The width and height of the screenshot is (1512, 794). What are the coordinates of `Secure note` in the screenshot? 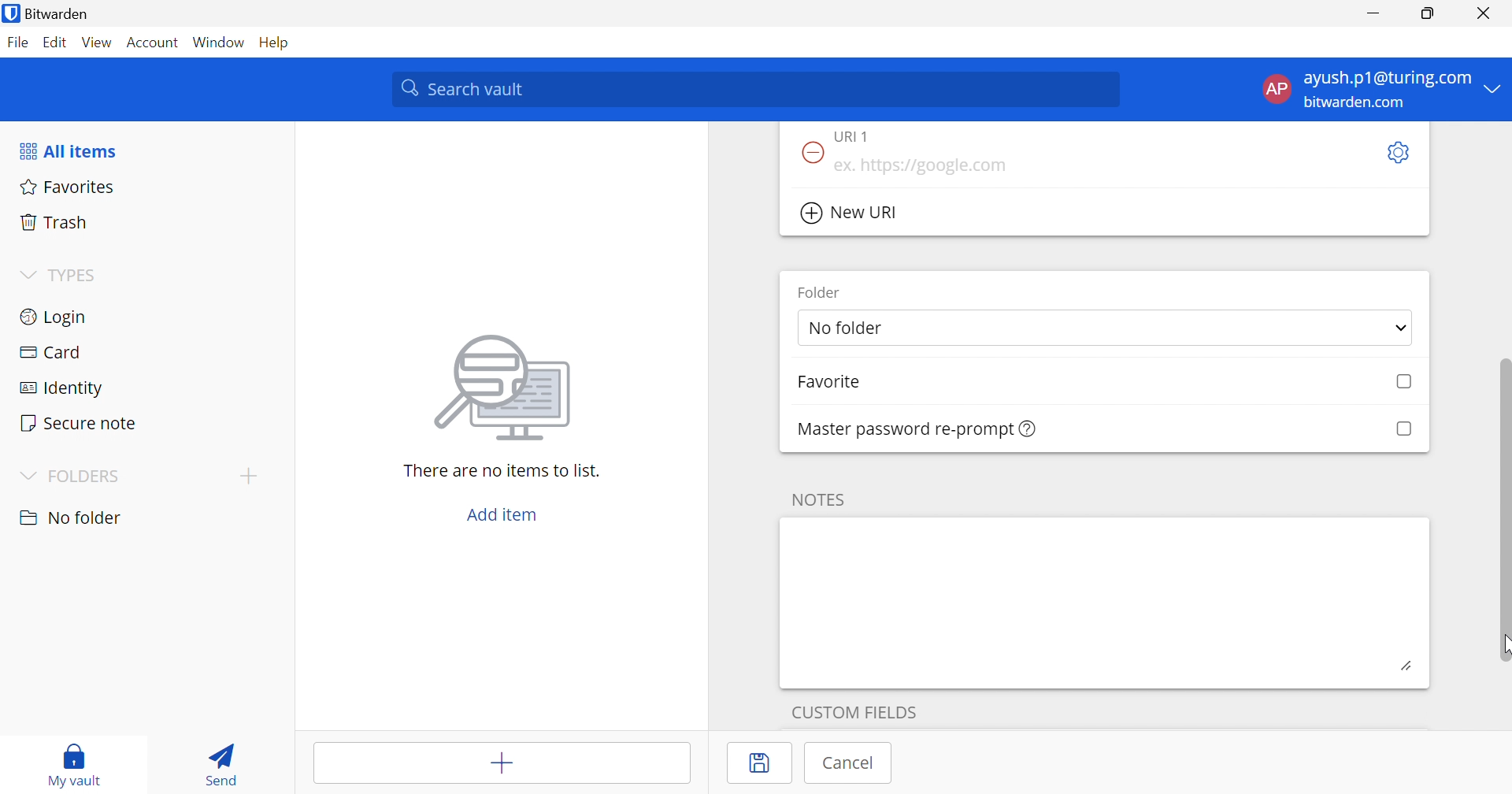 It's located at (77, 425).